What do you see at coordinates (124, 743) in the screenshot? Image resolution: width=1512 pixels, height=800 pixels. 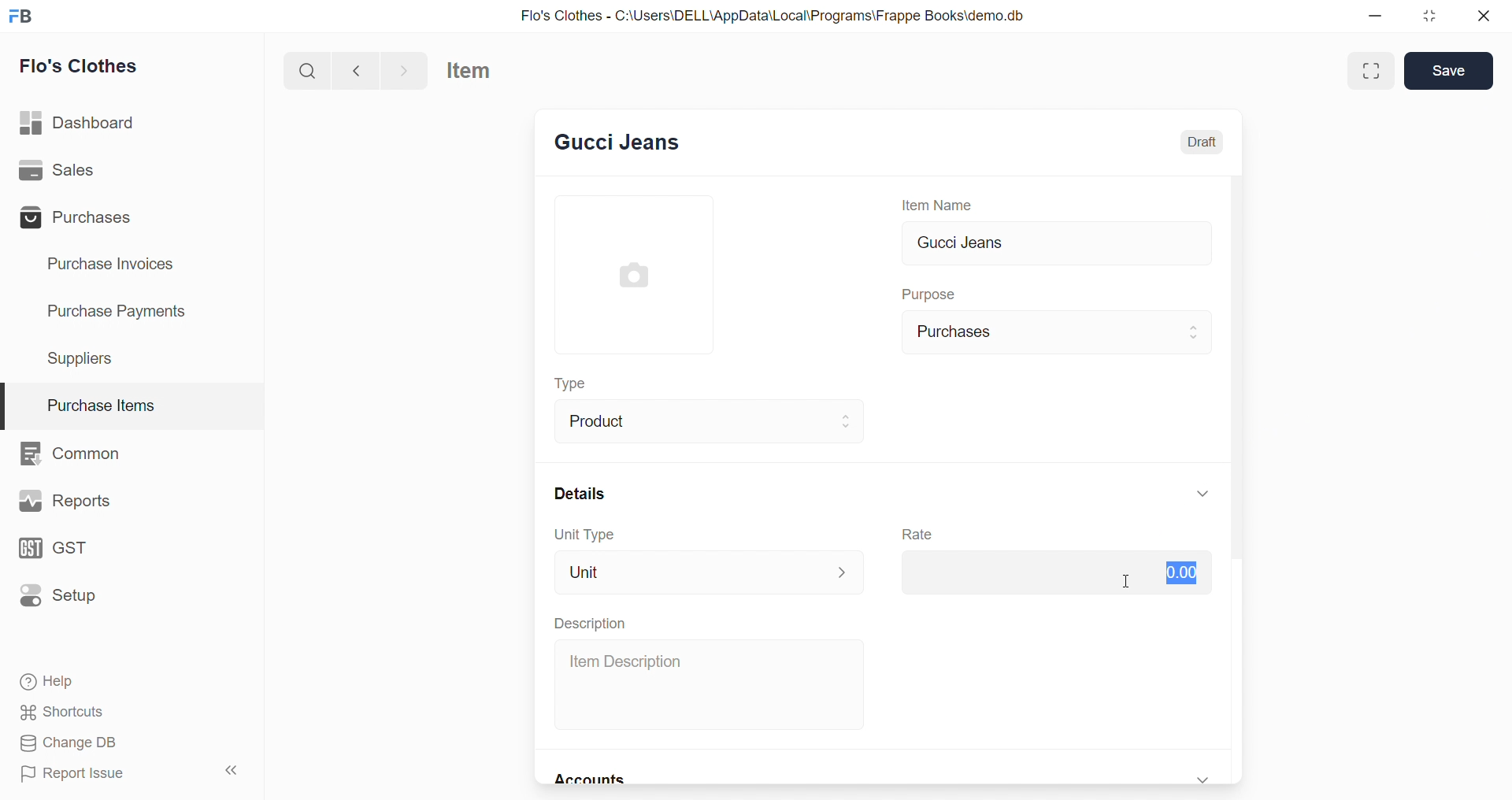 I see `Change DB` at bounding box center [124, 743].